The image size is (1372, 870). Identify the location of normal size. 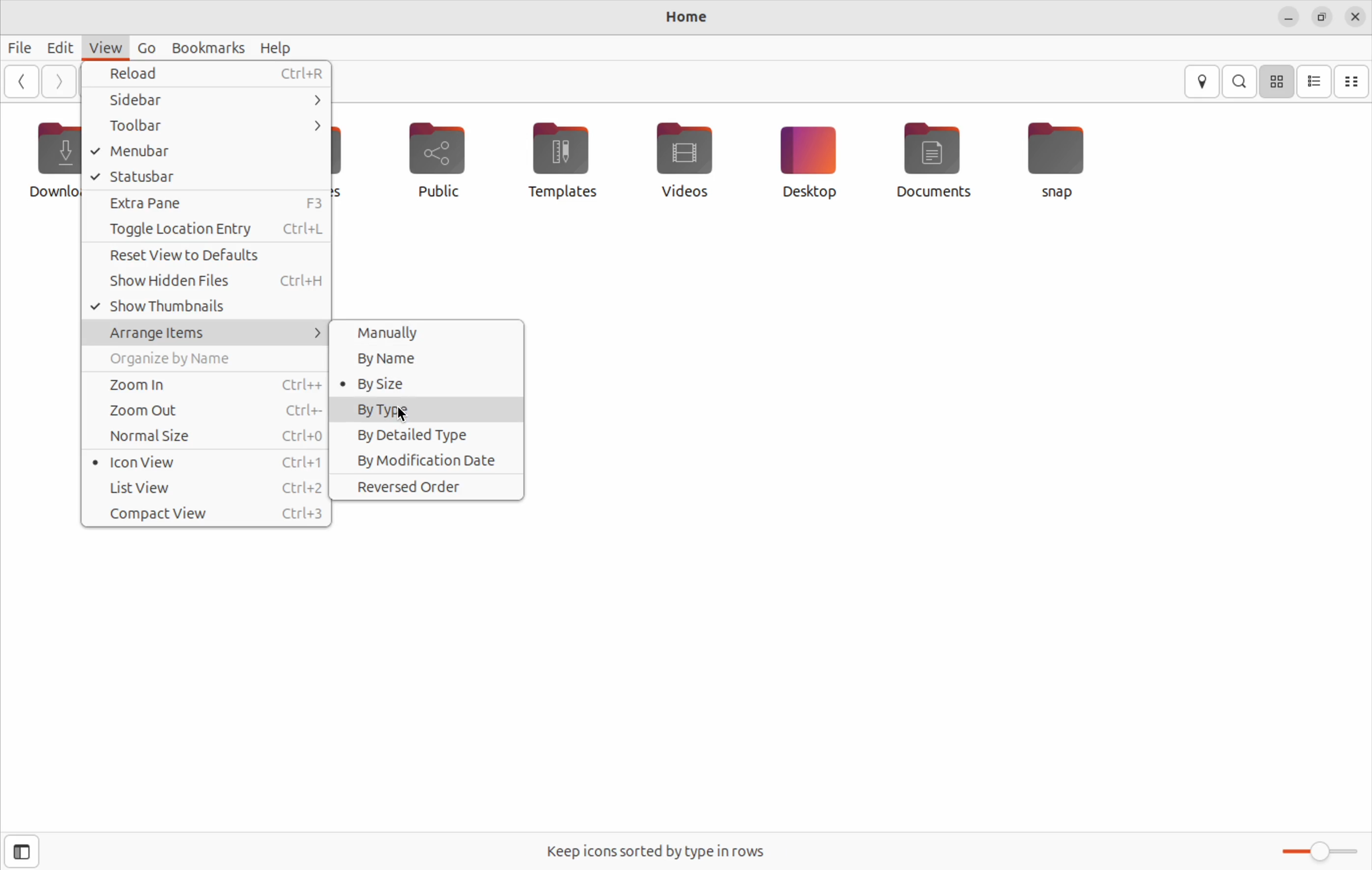
(205, 437).